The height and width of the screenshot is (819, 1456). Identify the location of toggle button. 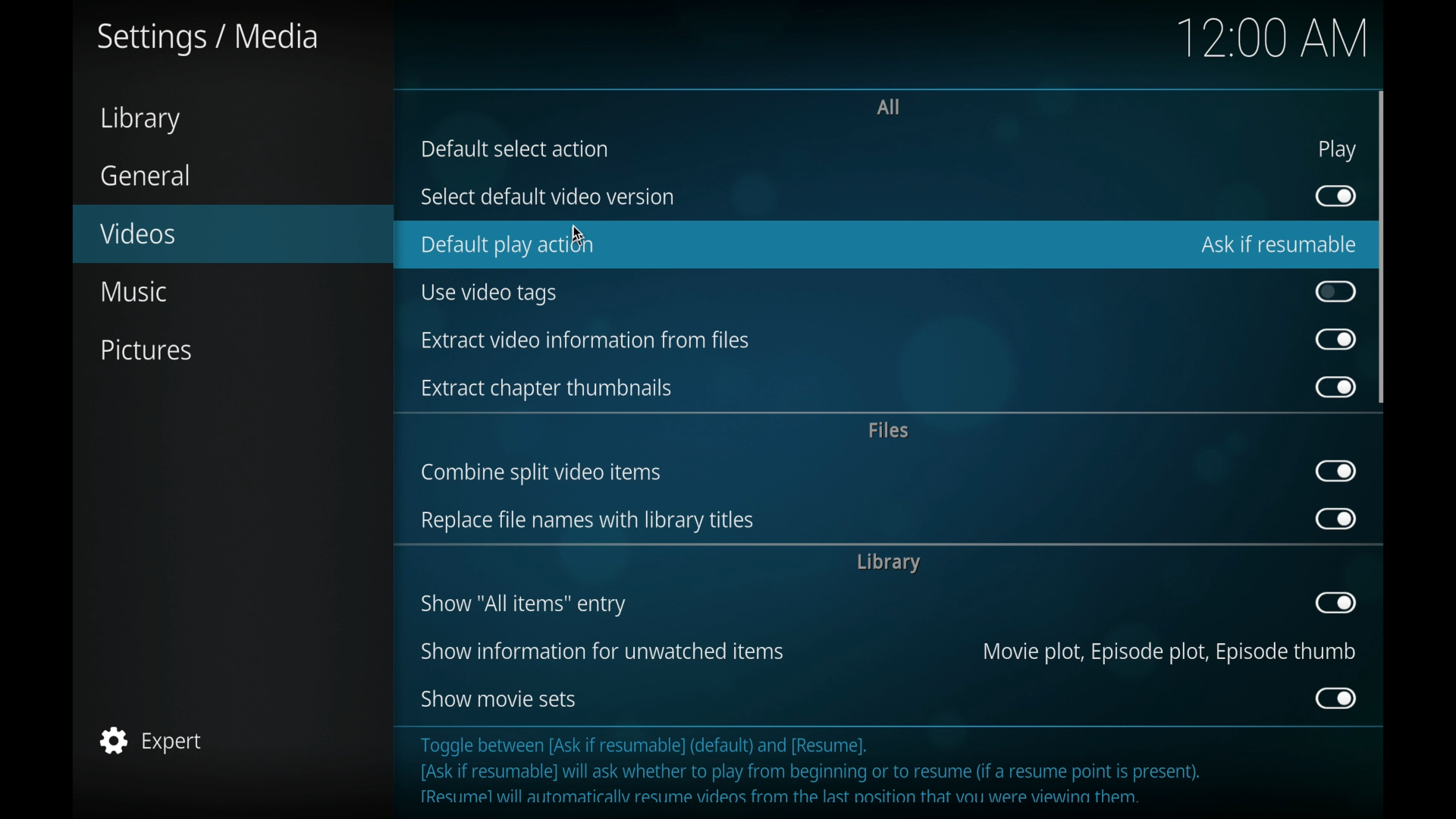
(1338, 470).